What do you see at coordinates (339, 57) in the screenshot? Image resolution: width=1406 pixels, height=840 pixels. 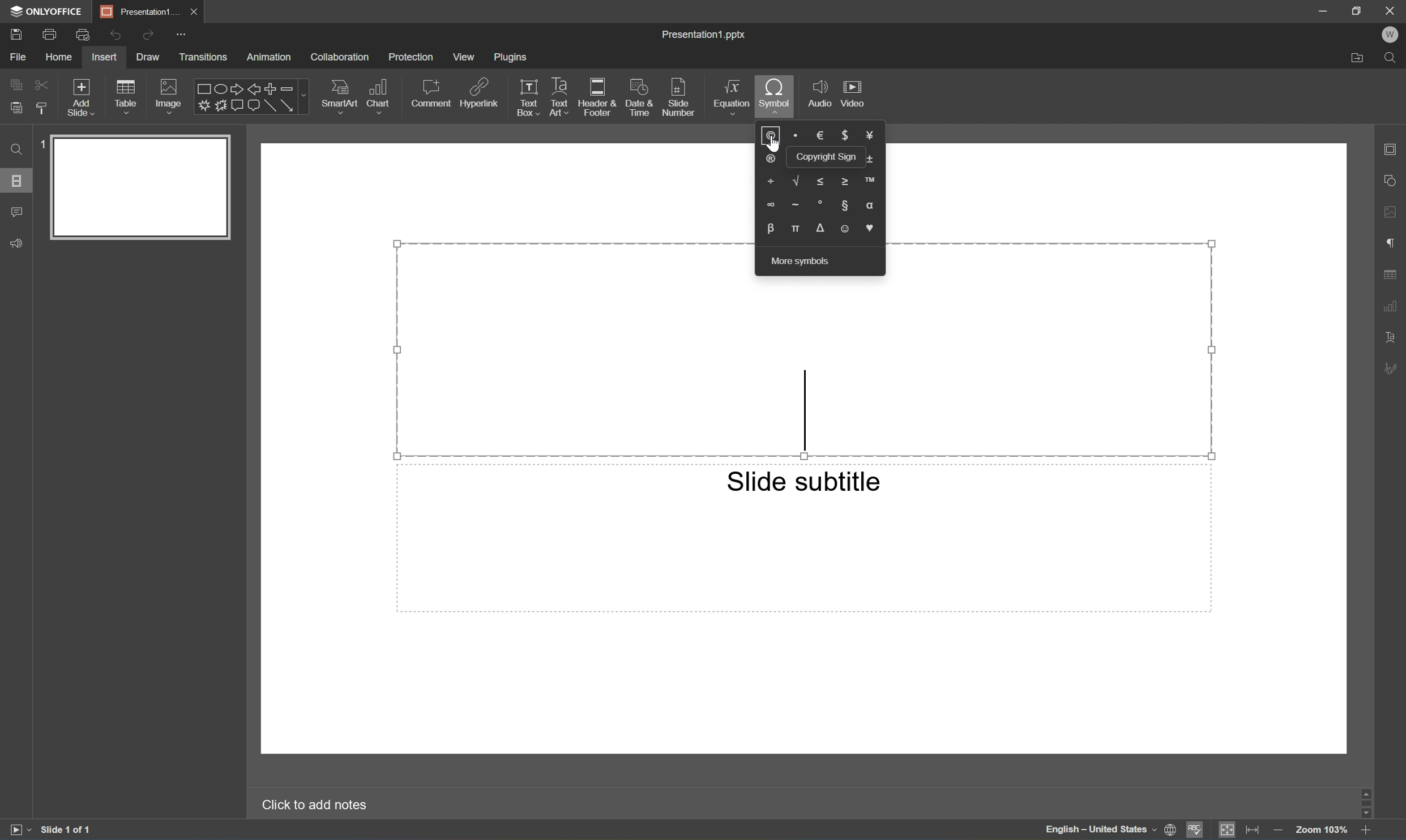 I see `Collaboration` at bounding box center [339, 57].